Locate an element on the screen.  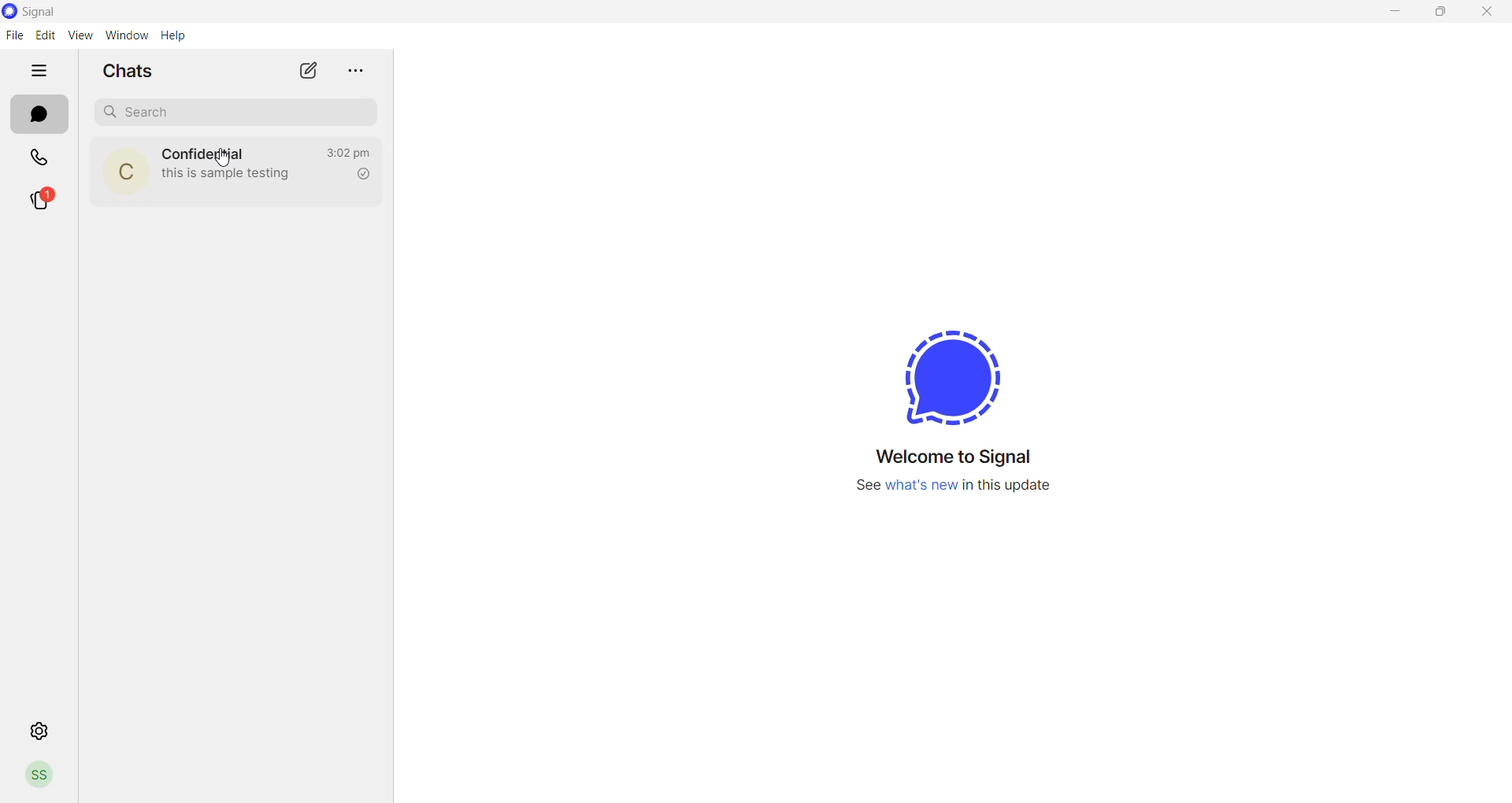
new message is located at coordinates (310, 71).